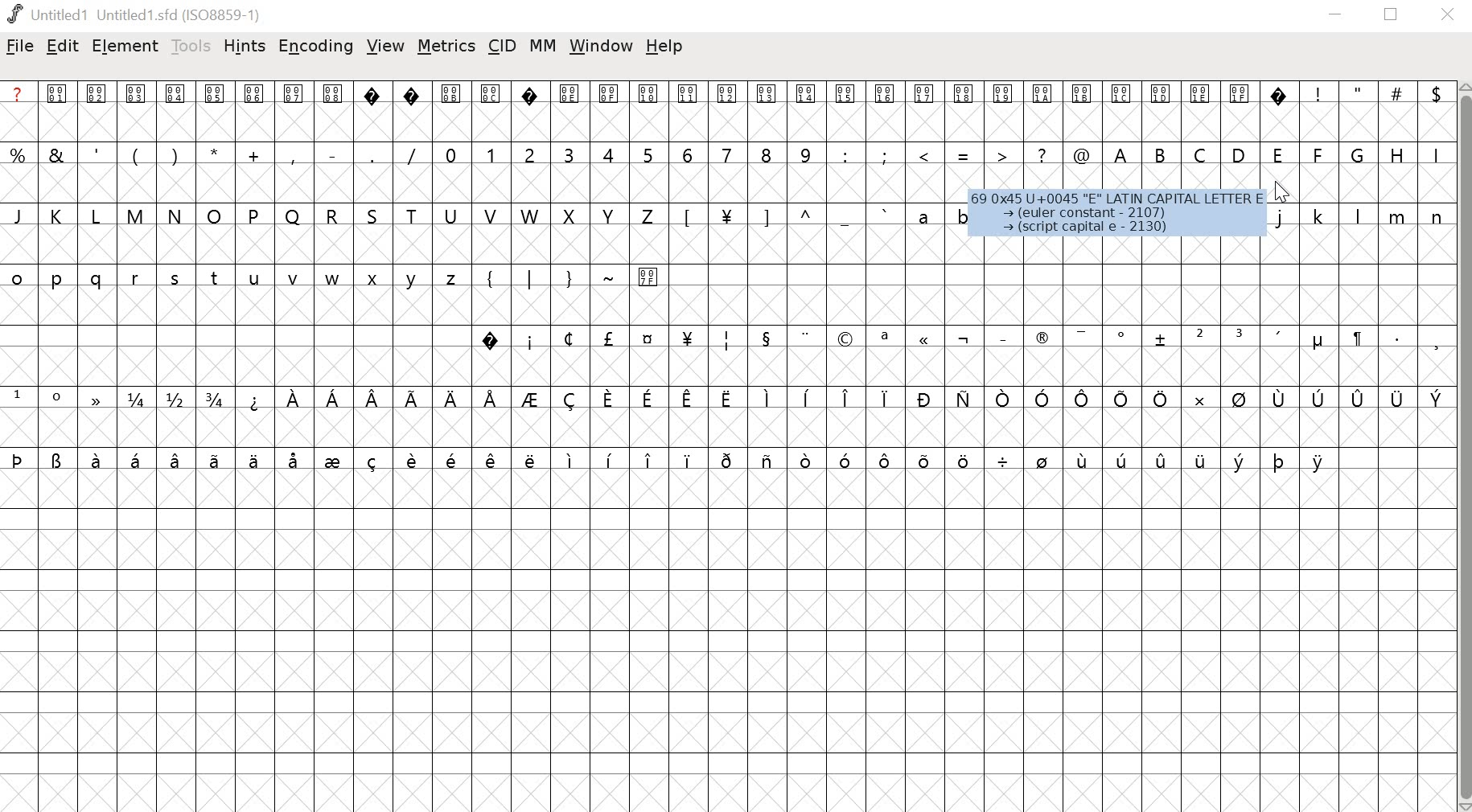  What do you see at coordinates (726, 368) in the screenshot?
I see `empty cells` at bounding box center [726, 368].